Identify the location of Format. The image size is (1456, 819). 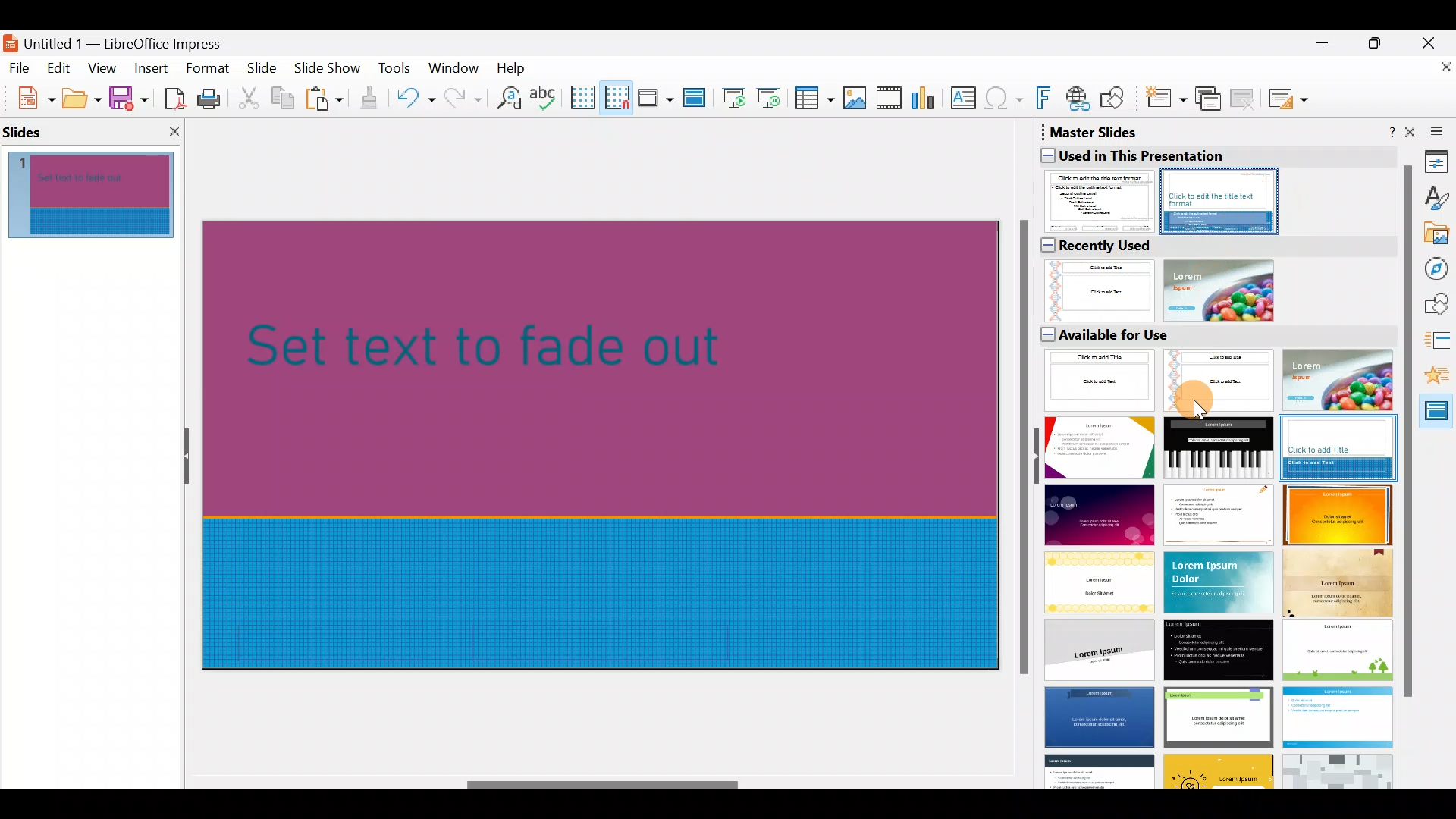
(206, 67).